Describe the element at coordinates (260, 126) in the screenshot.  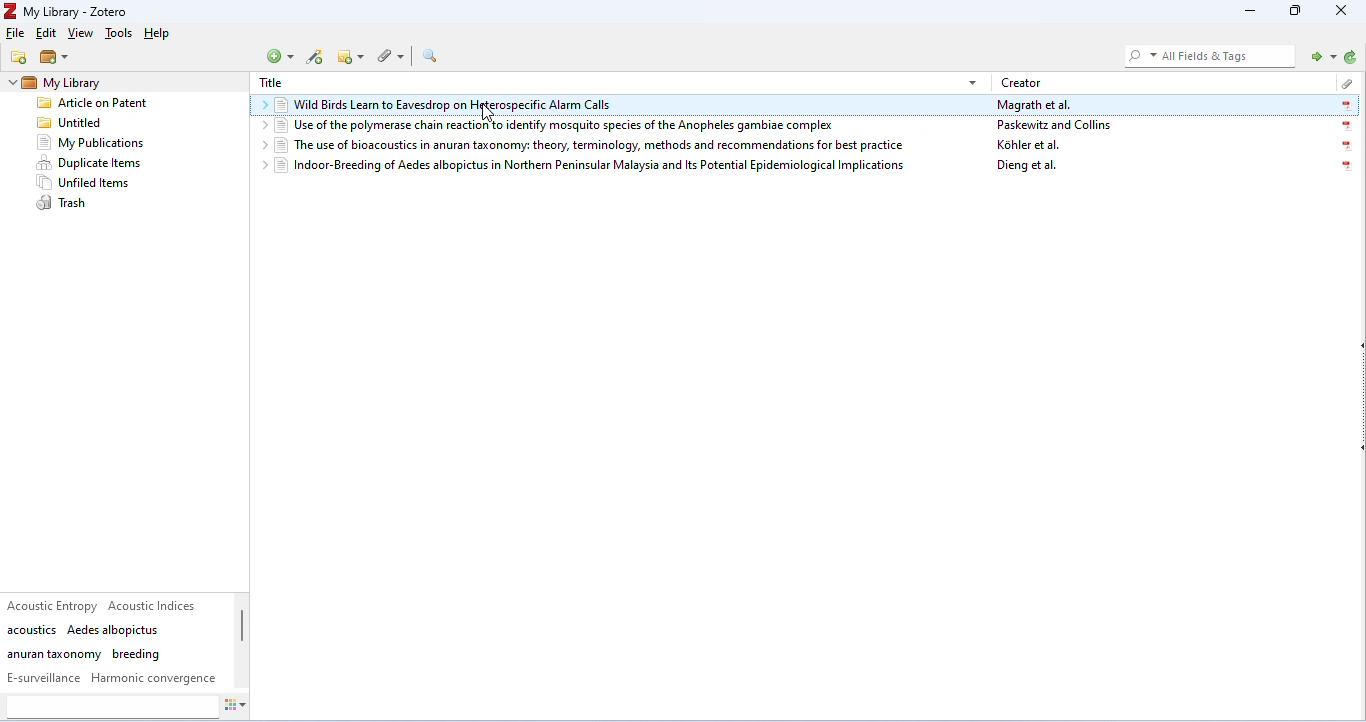
I see `drop down` at that location.